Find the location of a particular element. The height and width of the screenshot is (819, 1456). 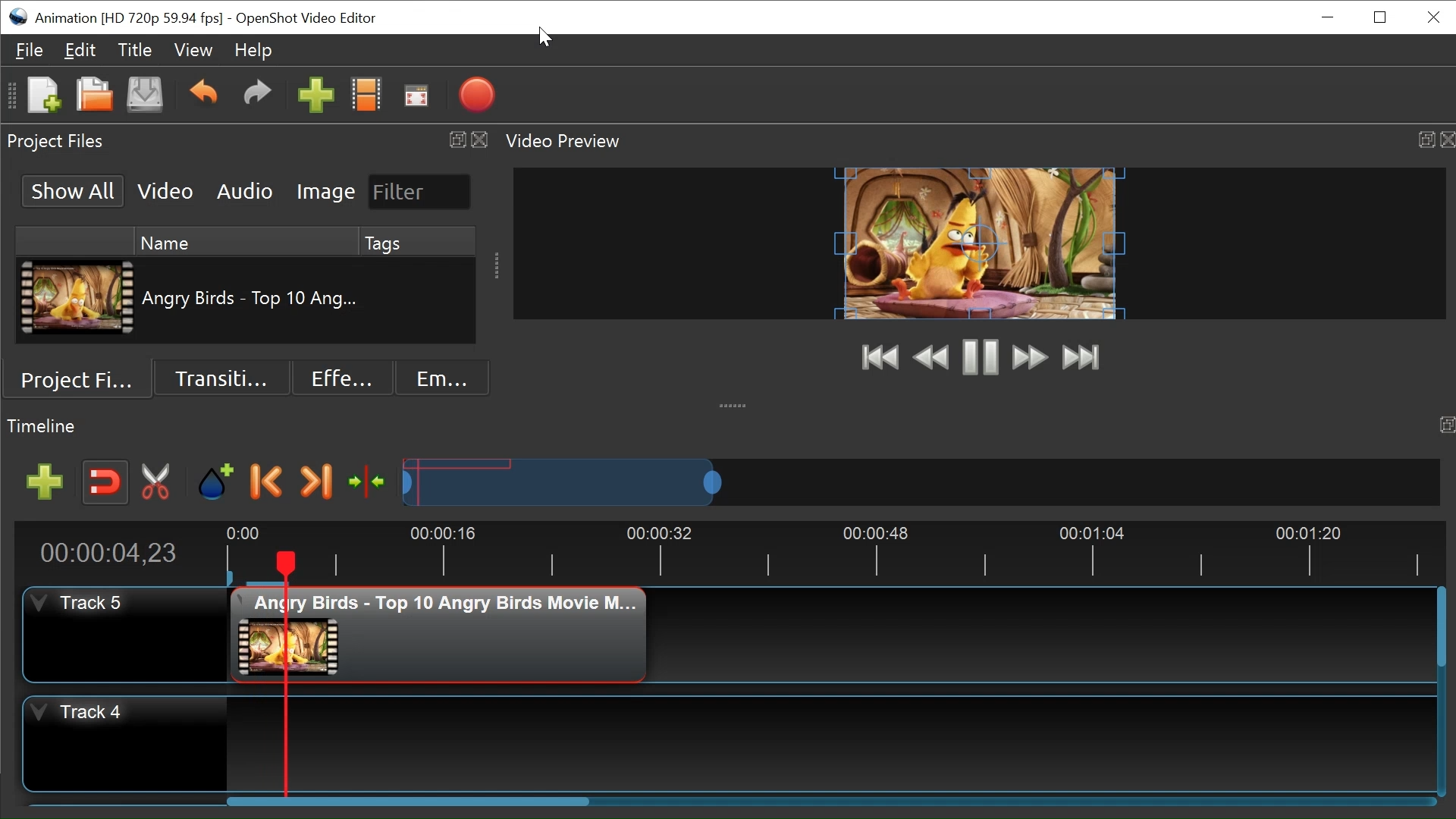

Jump to Start is located at coordinates (881, 359).